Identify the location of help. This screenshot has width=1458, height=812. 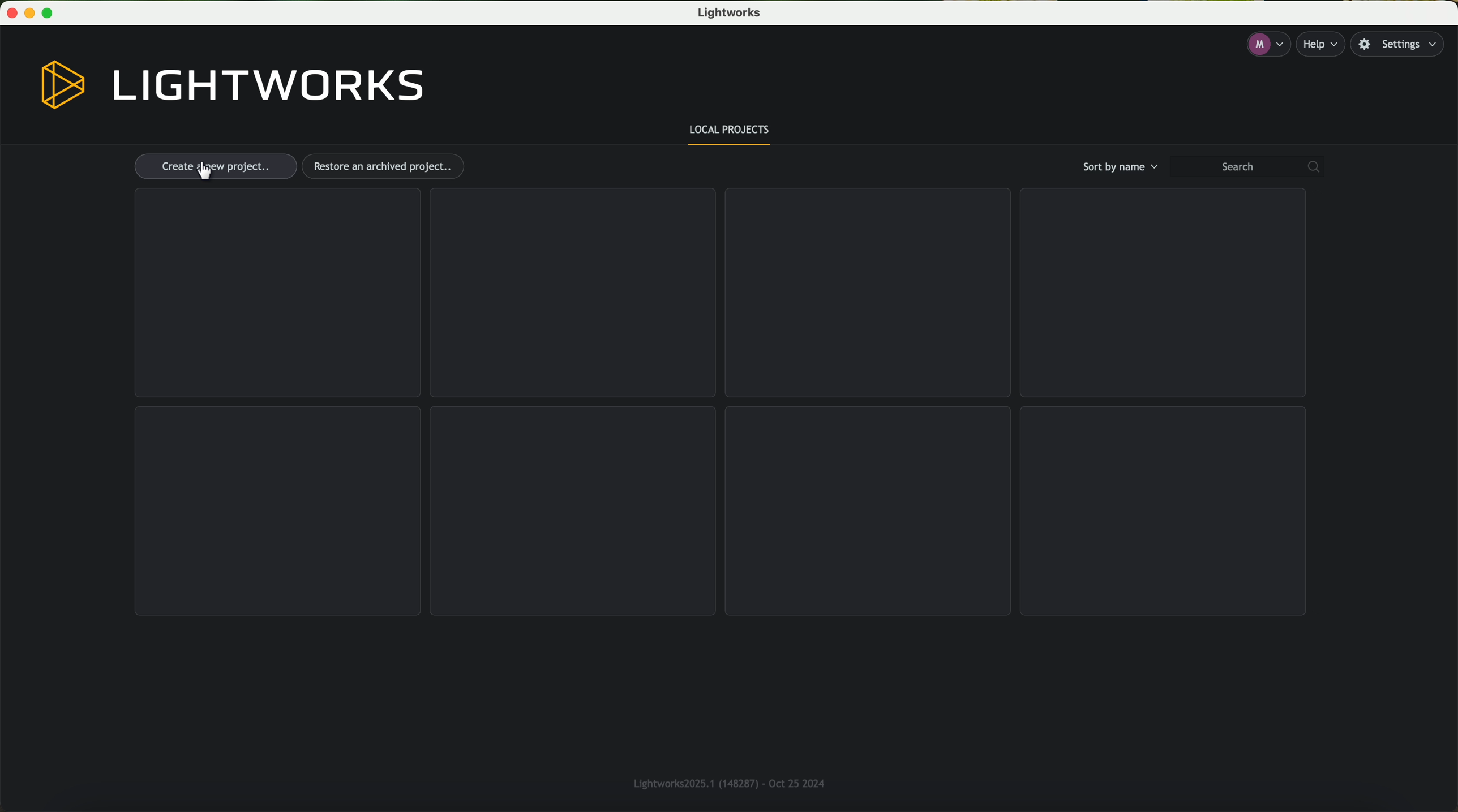
(1324, 44).